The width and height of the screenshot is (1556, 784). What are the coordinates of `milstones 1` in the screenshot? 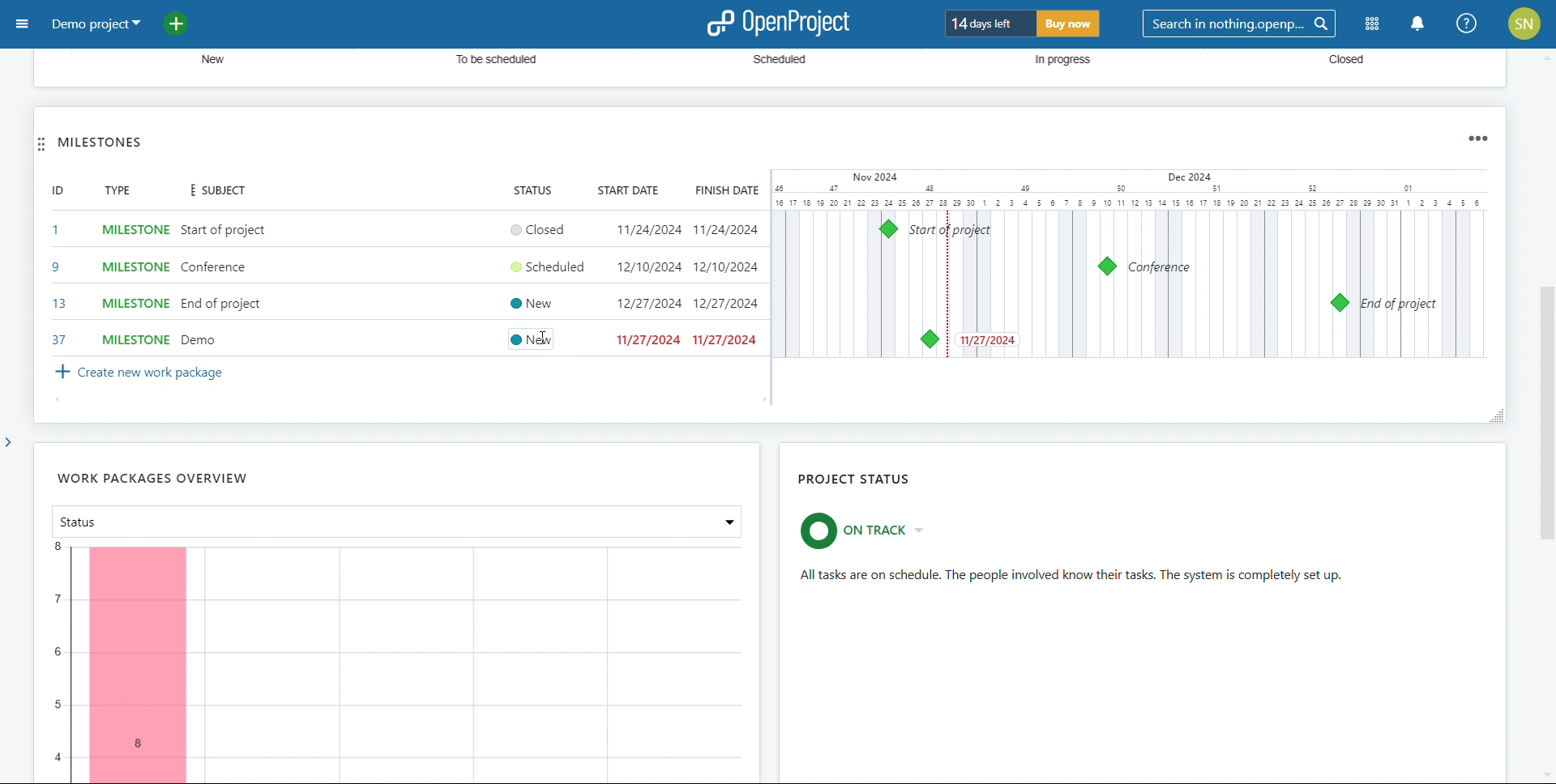 It's located at (889, 228).